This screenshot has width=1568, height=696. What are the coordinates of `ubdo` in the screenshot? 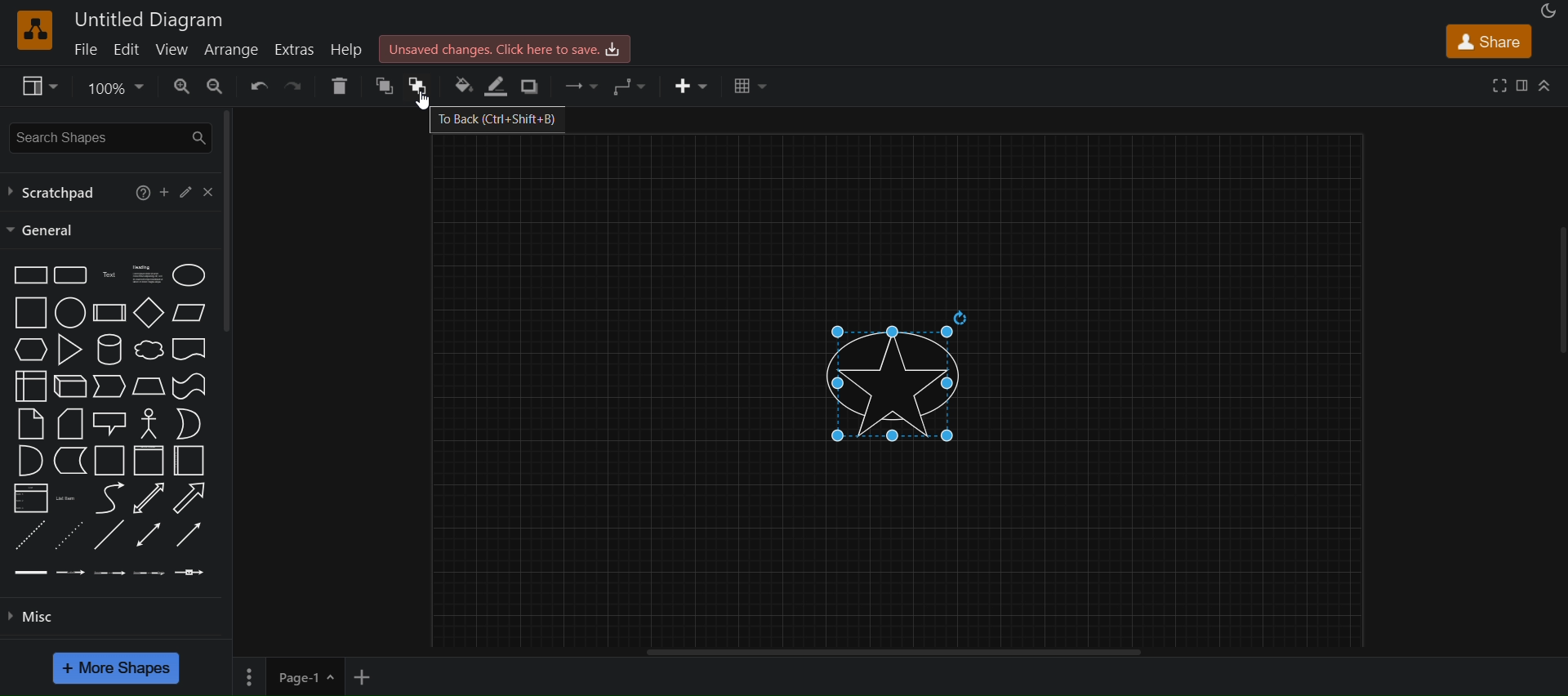 It's located at (260, 86).